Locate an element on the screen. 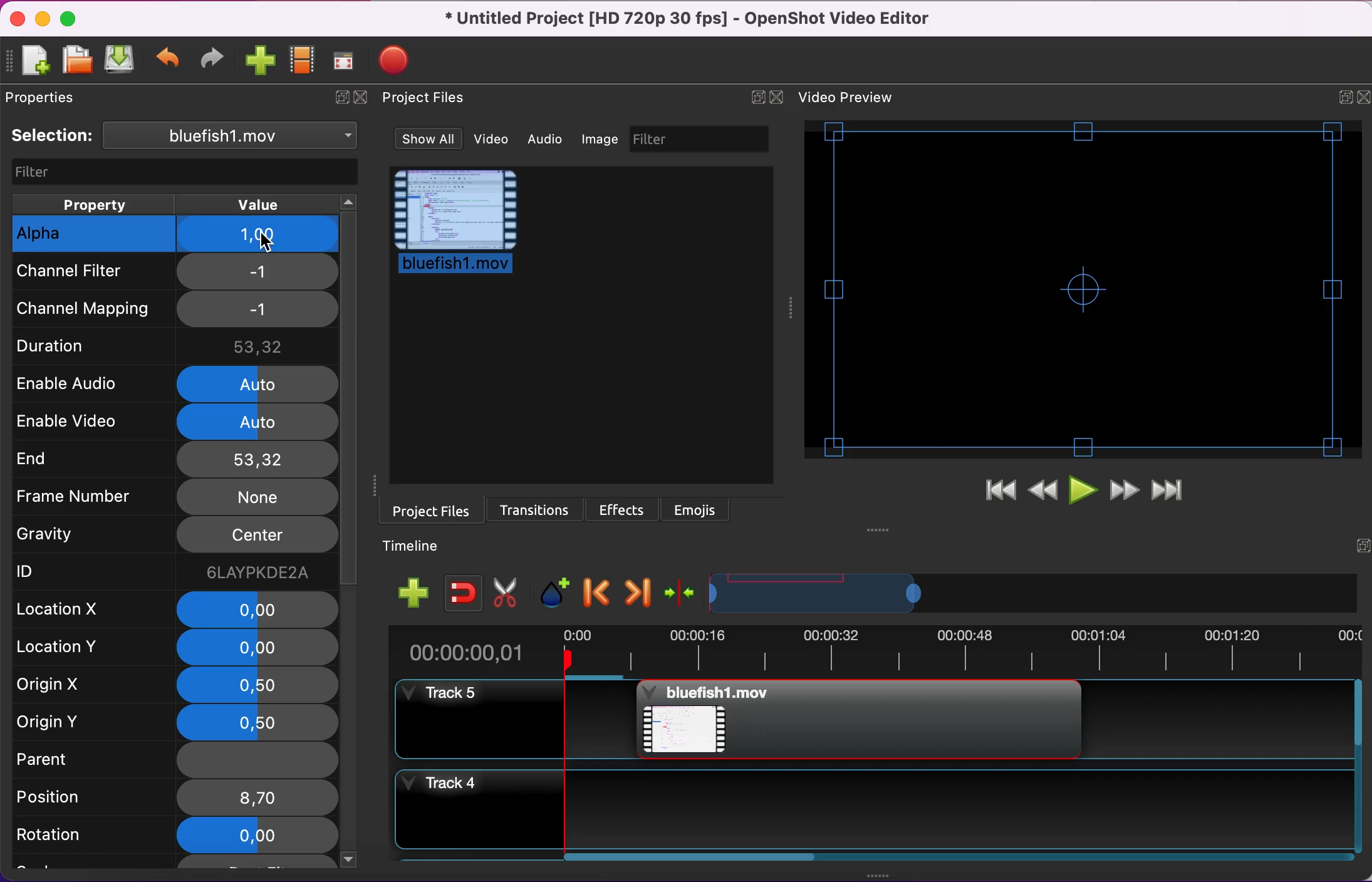 This screenshot has height=882, width=1372. time duration is located at coordinates (883, 652).